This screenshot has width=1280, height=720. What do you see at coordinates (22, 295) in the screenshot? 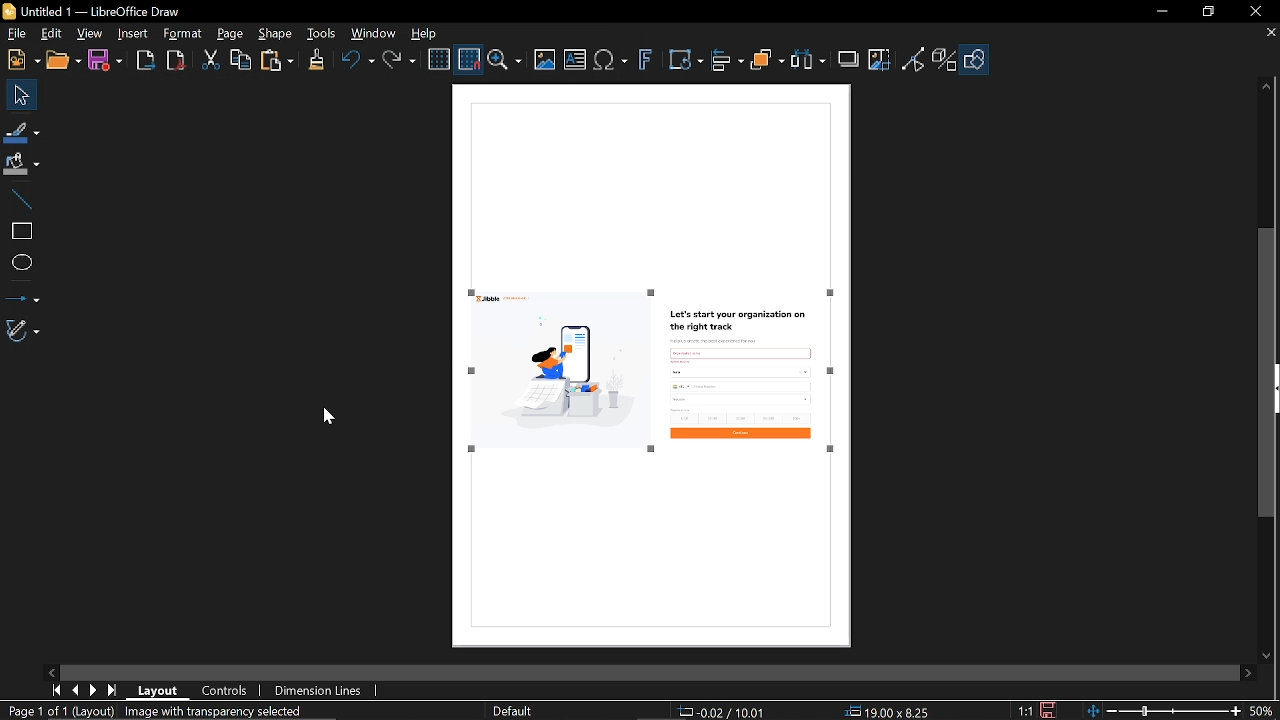
I see `Lines and arrows` at bounding box center [22, 295].